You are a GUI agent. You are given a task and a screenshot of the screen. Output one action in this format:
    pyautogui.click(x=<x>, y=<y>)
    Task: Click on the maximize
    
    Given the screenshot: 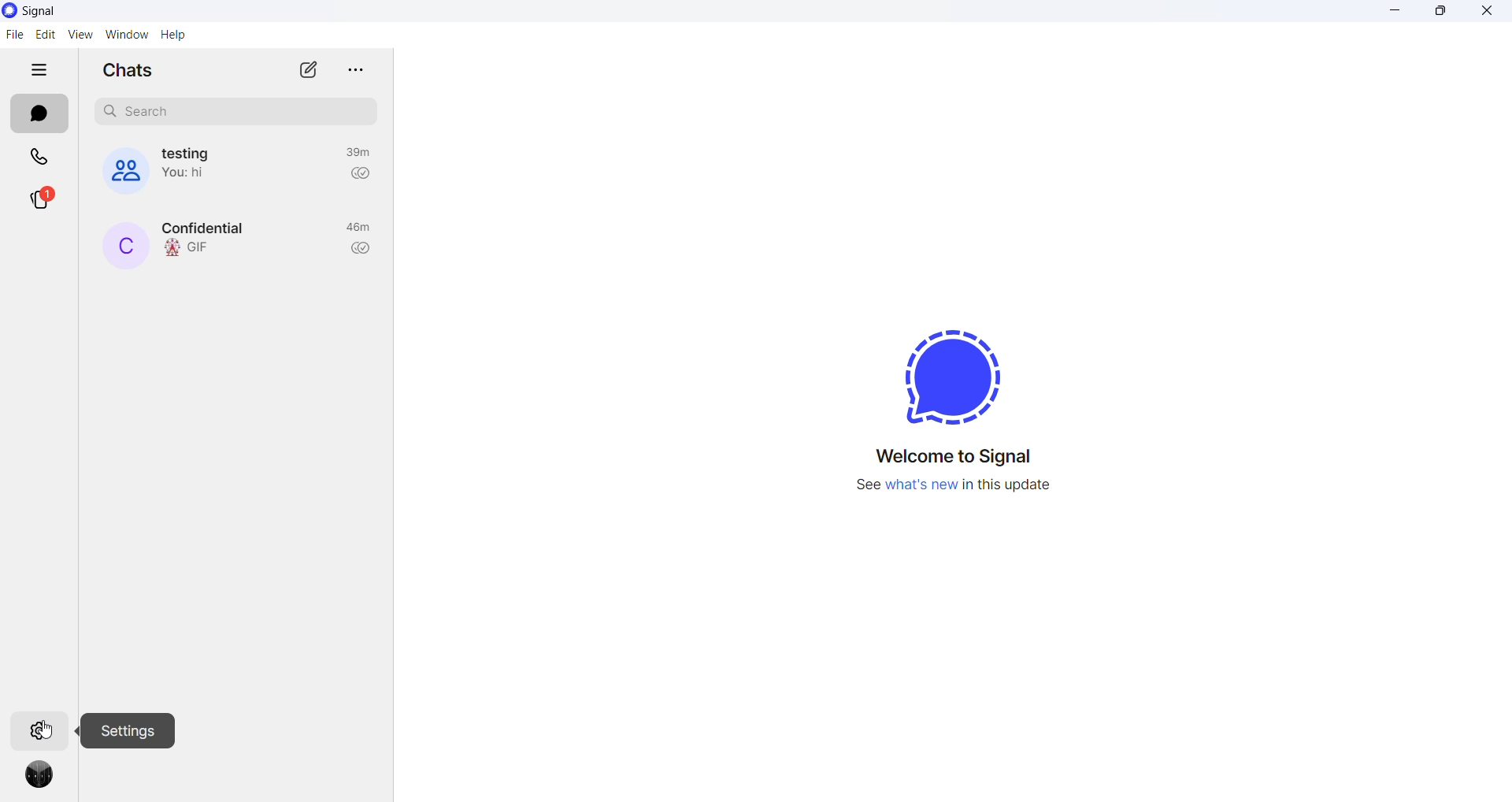 What is the action you would take?
    pyautogui.click(x=1443, y=14)
    